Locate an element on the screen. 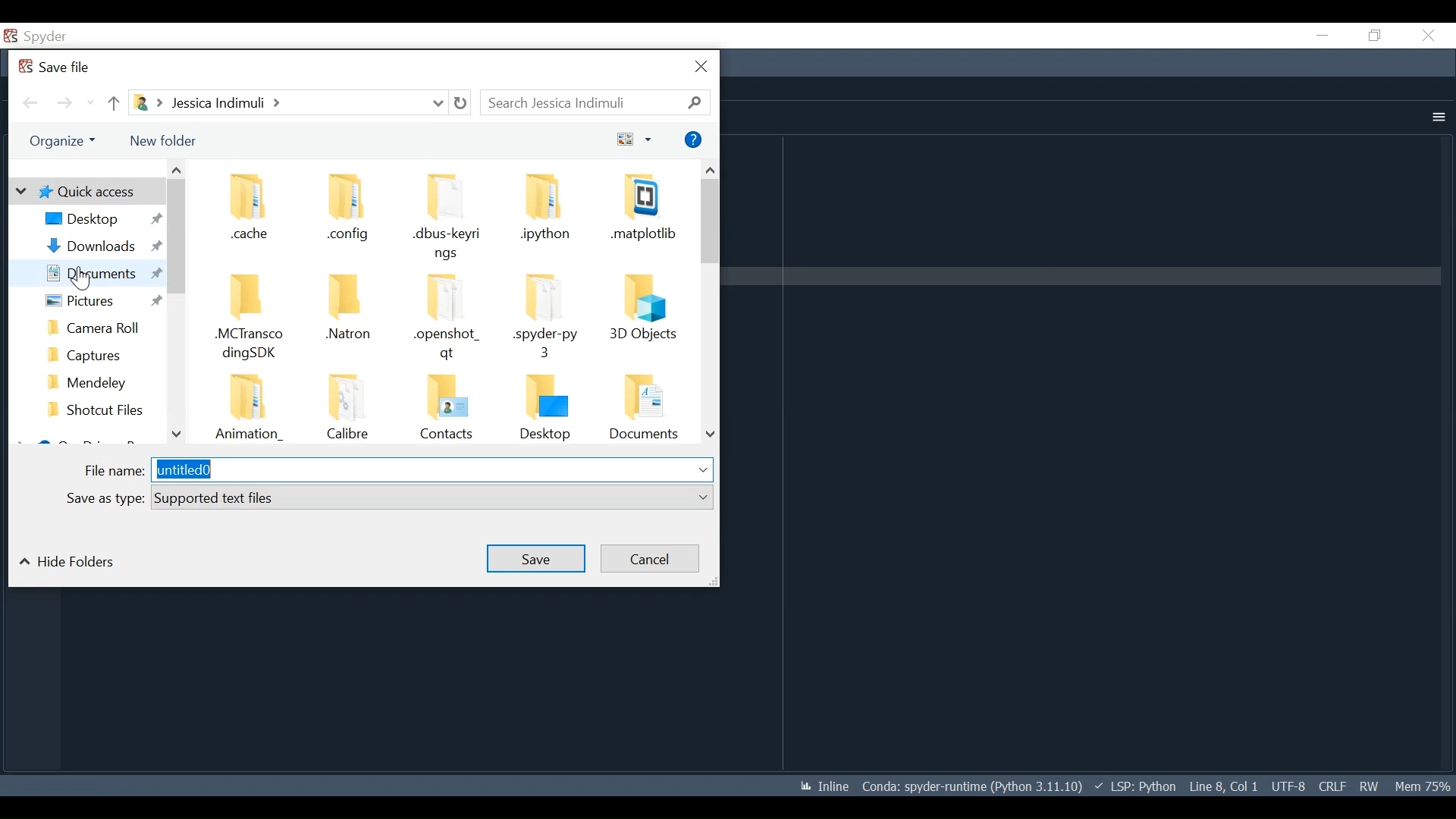 The height and width of the screenshot is (819, 1456). Scroll up is located at coordinates (177, 170).